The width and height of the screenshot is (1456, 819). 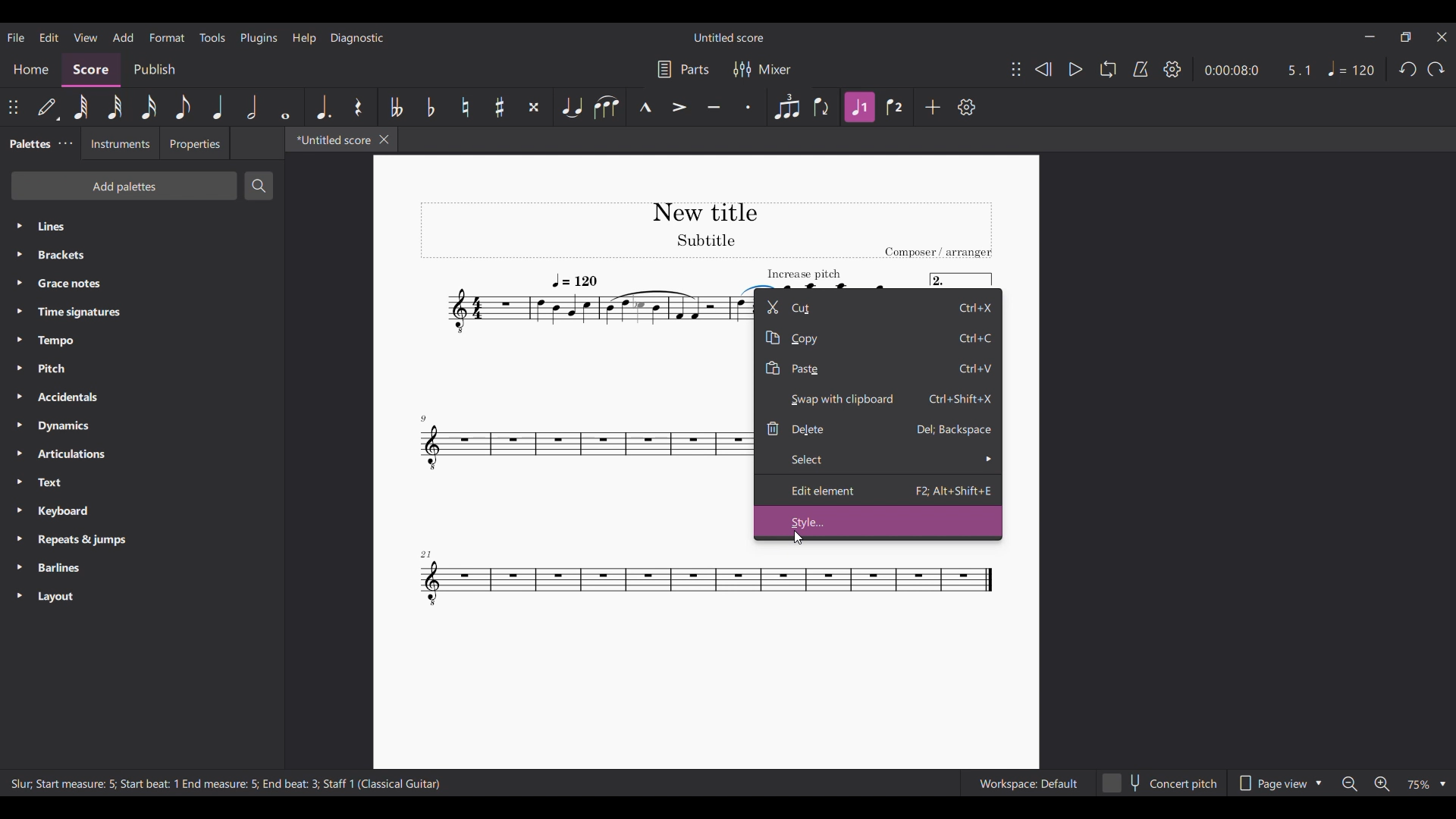 What do you see at coordinates (121, 143) in the screenshot?
I see `Instruments` at bounding box center [121, 143].